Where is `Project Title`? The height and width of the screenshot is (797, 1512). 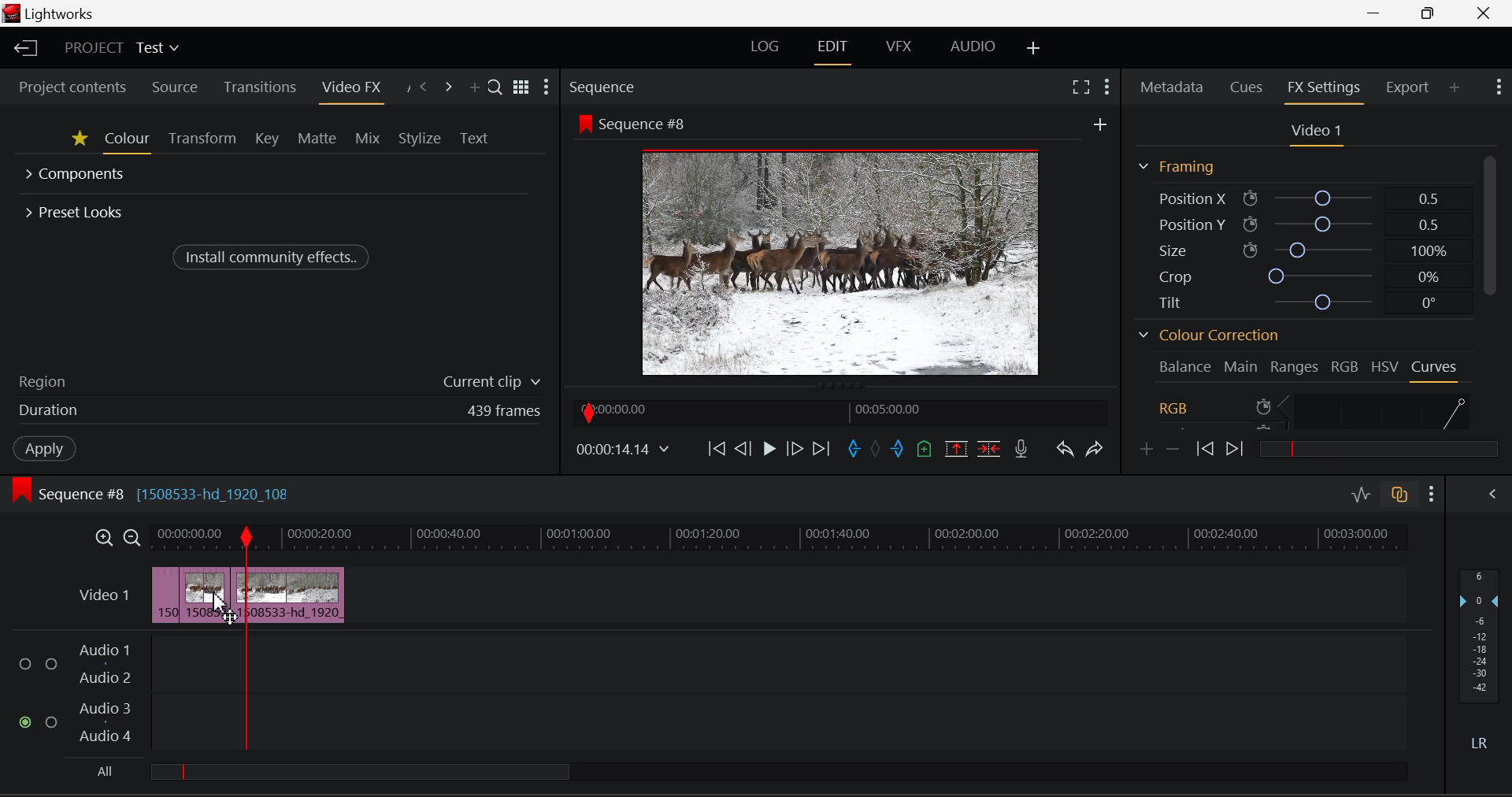 Project Title is located at coordinates (121, 49).